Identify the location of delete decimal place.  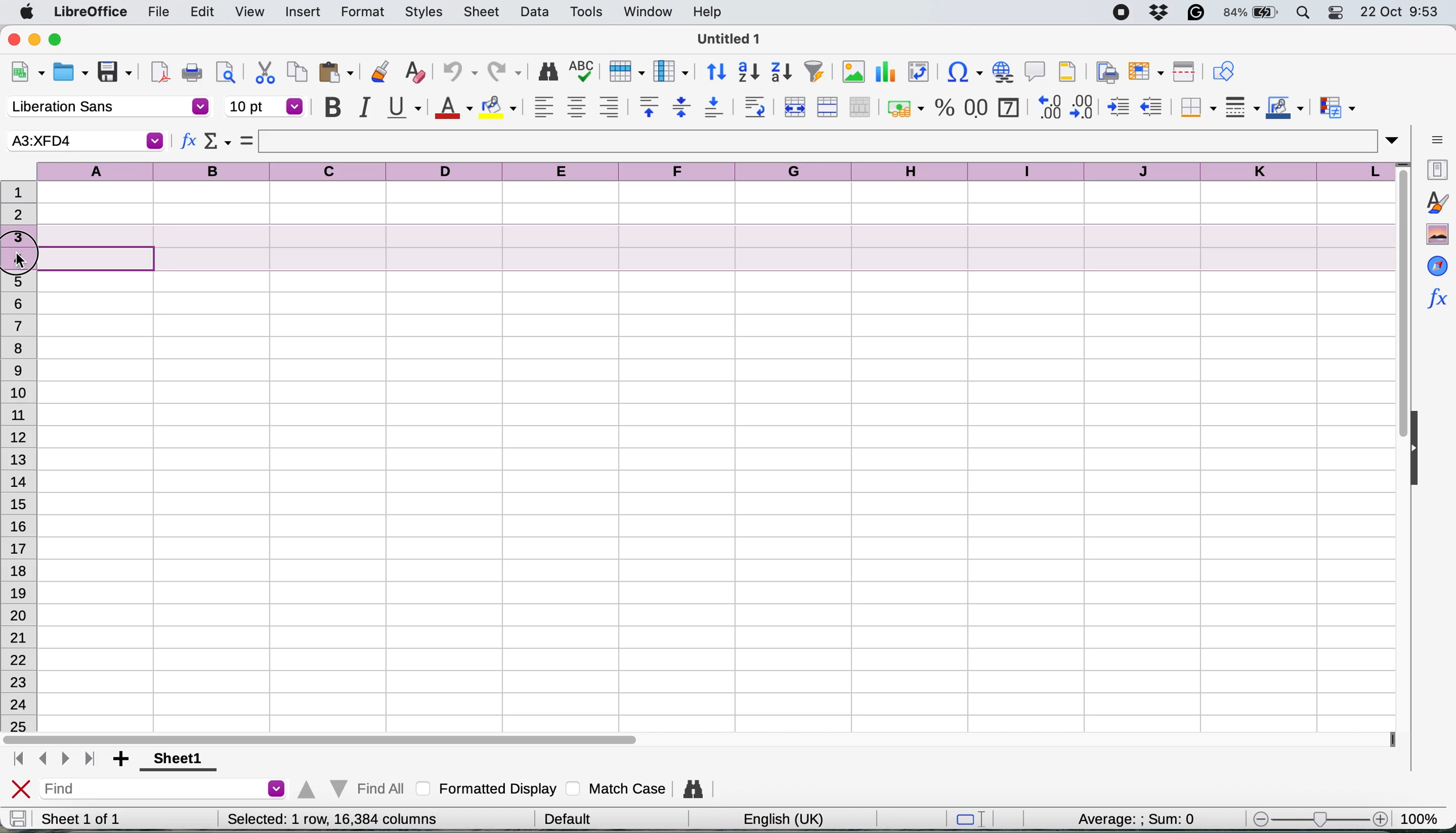
(1085, 106).